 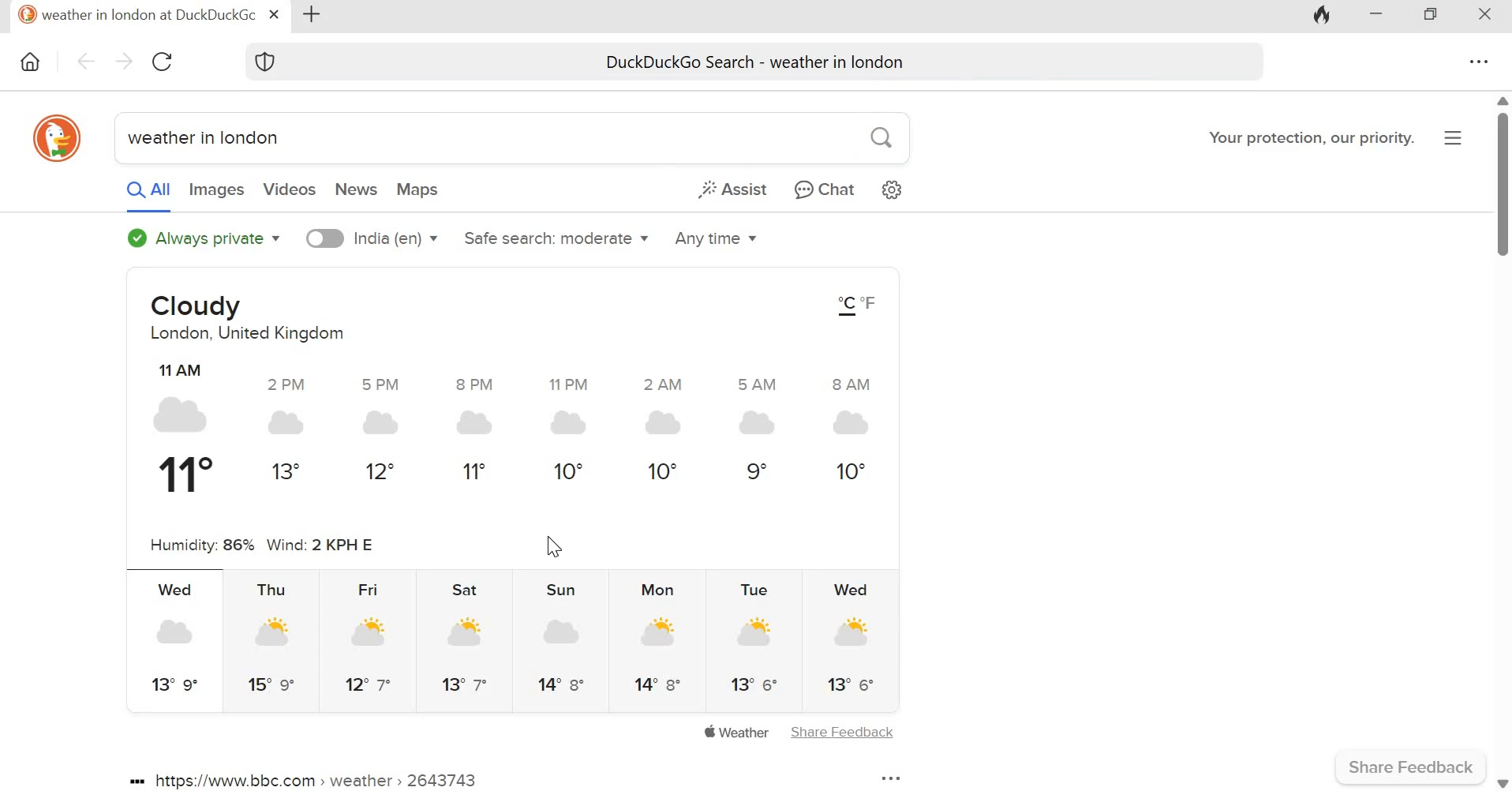 I want to click on Generate a short answer from the web, so click(x=733, y=189).